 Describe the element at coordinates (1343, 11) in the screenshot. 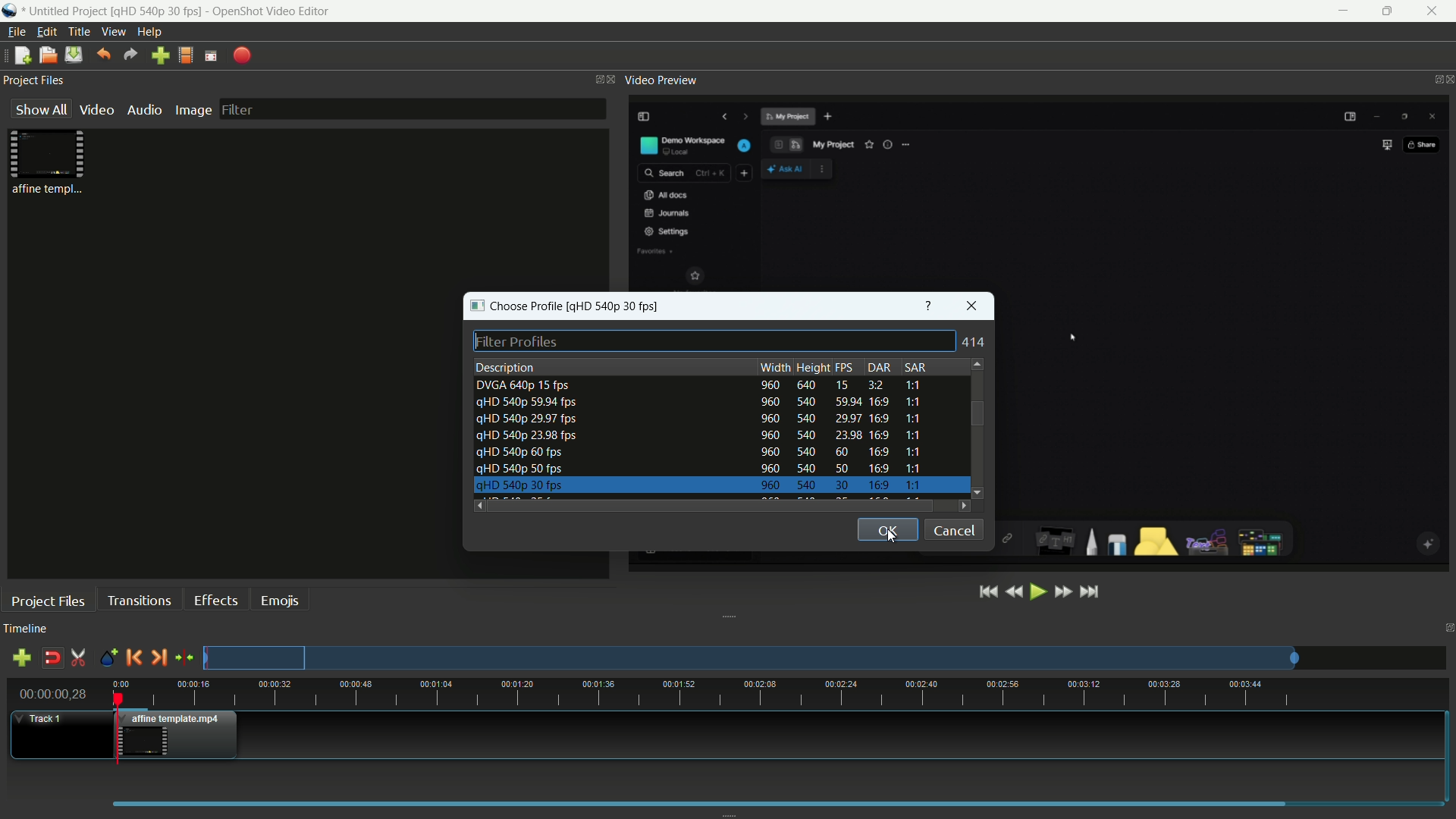

I see `minimize` at that location.